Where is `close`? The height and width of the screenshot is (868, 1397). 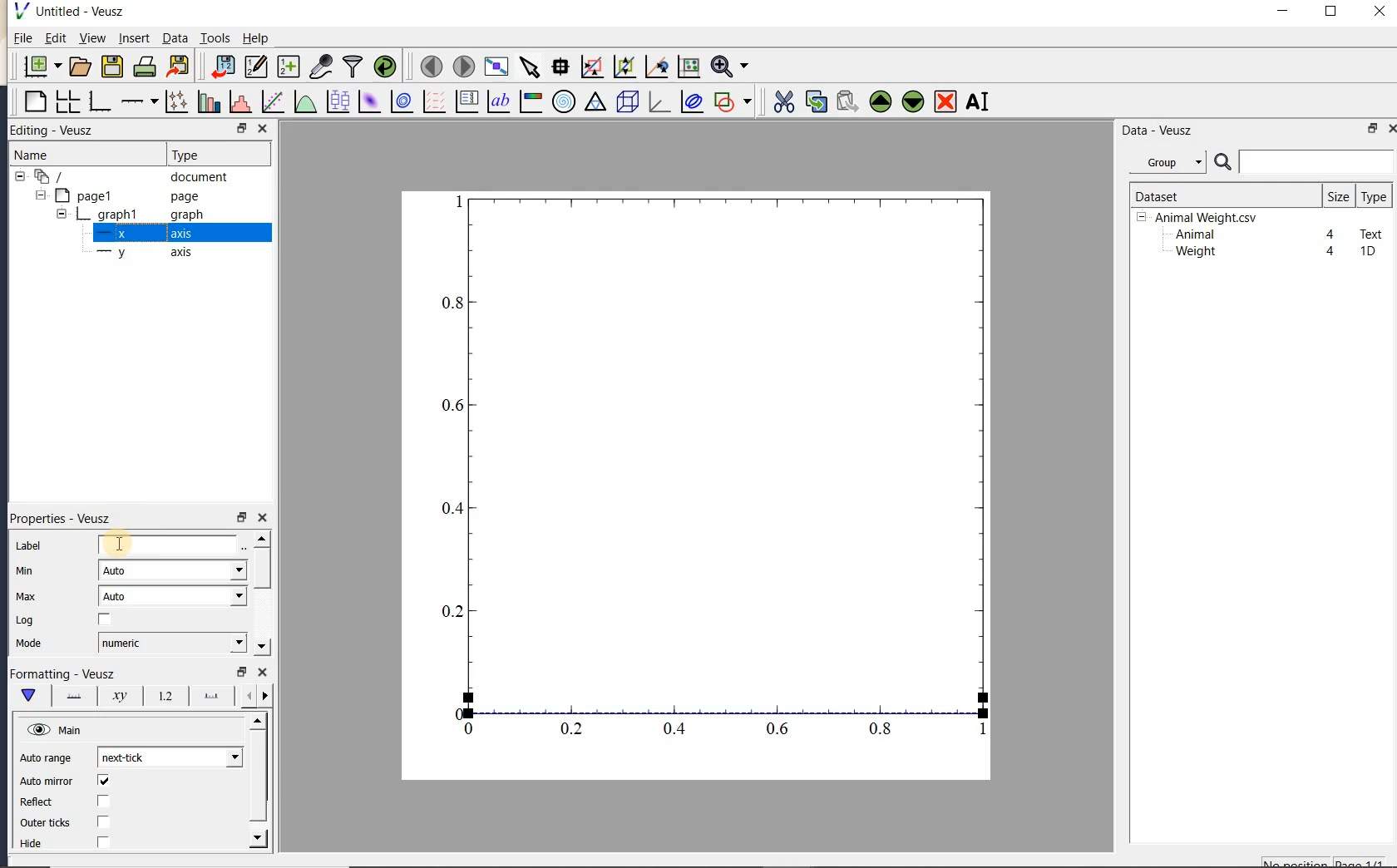 close is located at coordinates (263, 673).